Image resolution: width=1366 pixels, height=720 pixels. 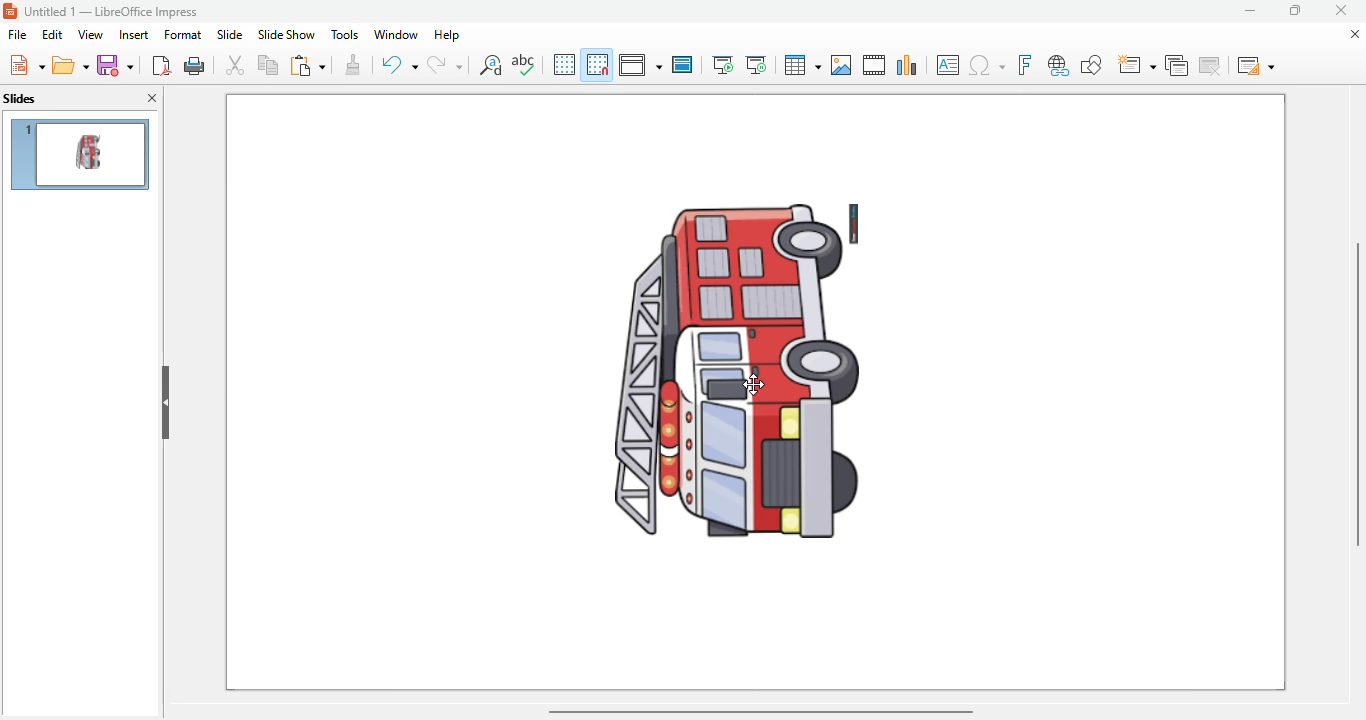 I want to click on edit, so click(x=52, y=34).